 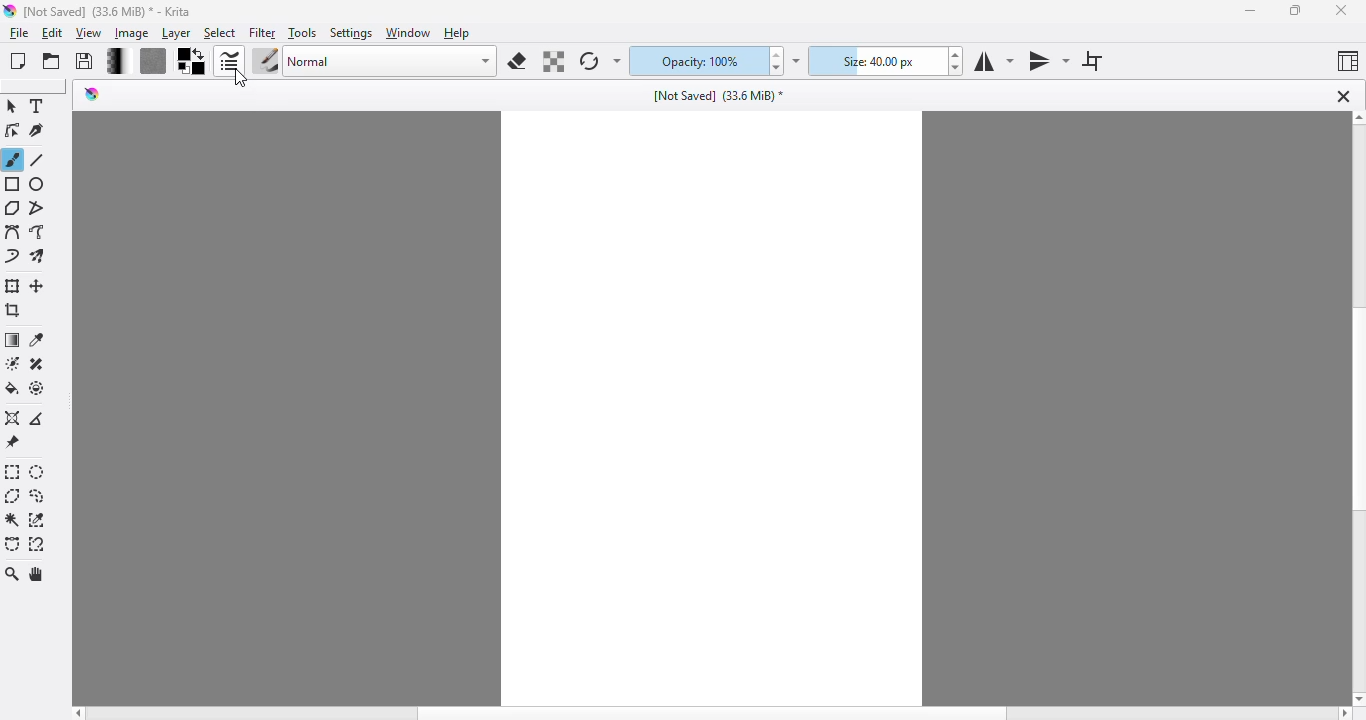 What do you see at coordinates (39, 132) in the screenshot?
I see `calligraphy` at bounding box center [39, 132].